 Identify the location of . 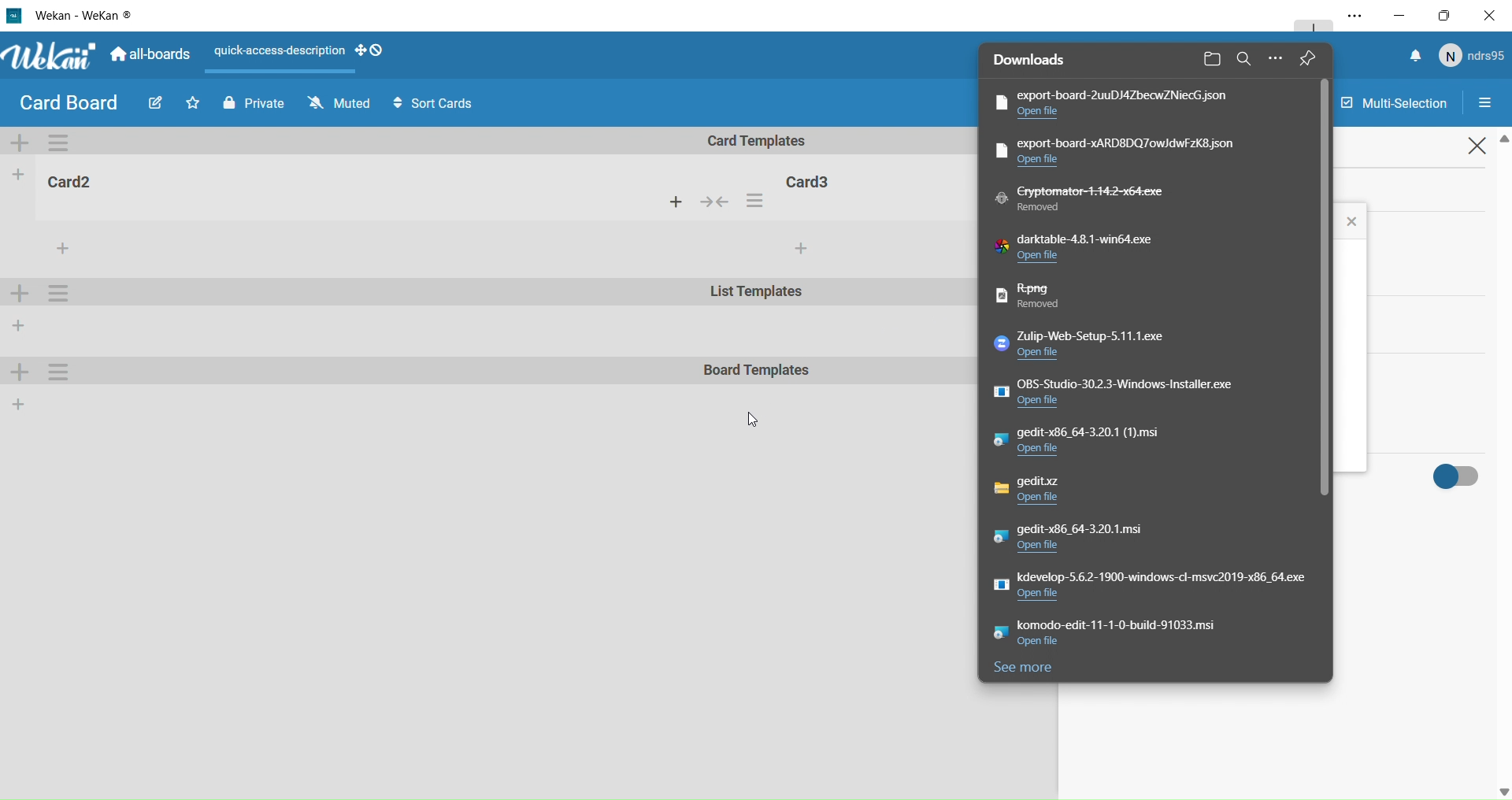
(17, 291).